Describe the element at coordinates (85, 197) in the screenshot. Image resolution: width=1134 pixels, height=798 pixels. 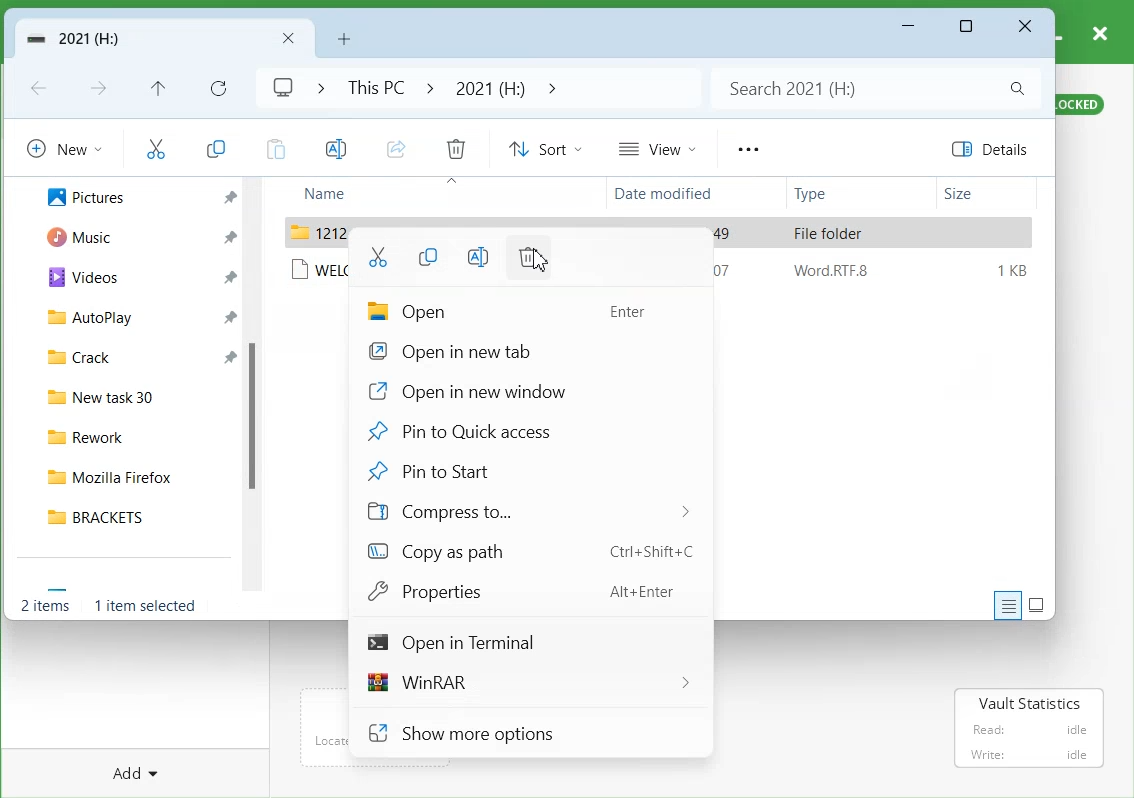
I see `Pictures` at that location.